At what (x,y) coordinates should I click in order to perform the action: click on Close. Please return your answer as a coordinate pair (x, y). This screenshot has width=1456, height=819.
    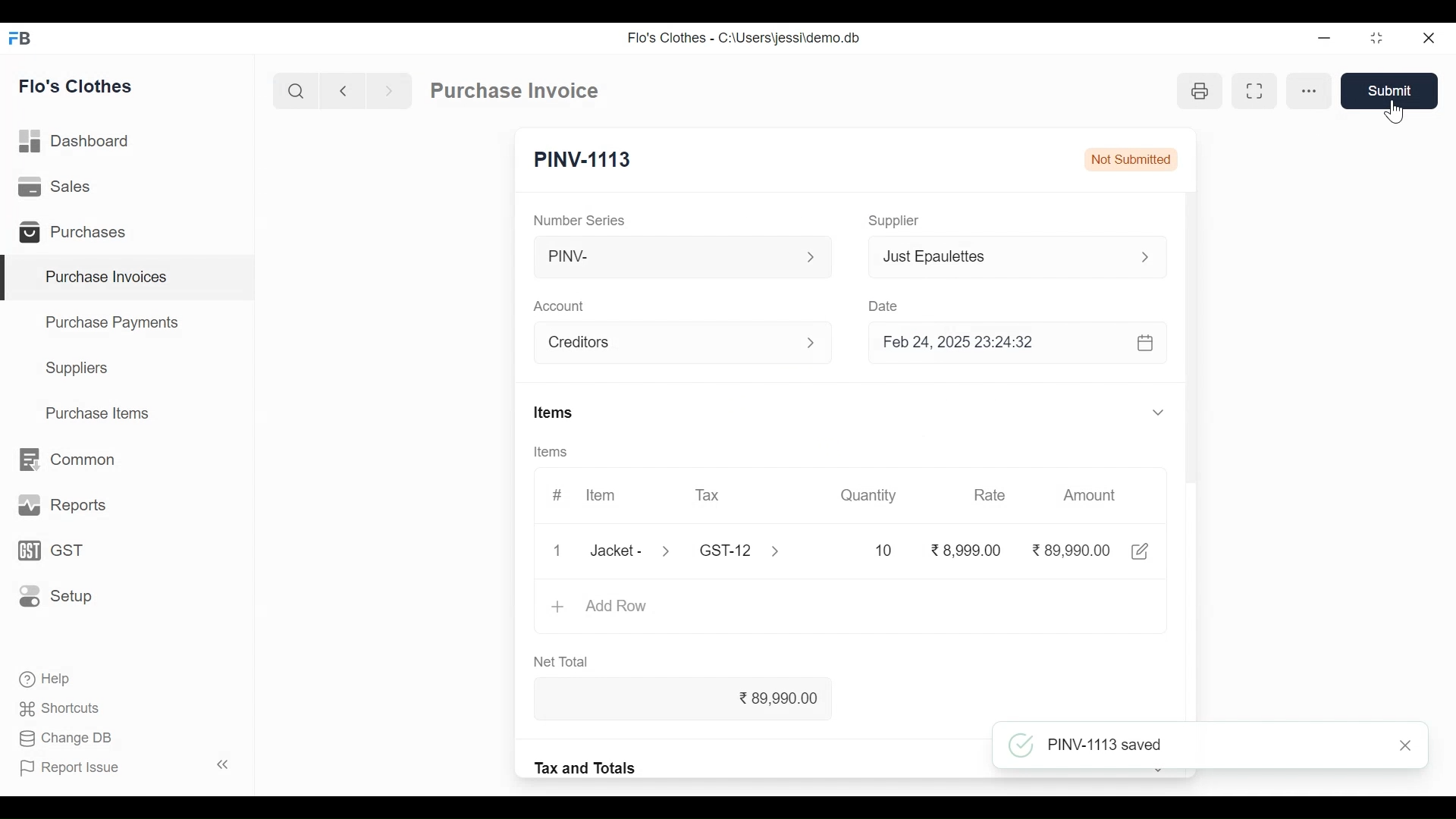
    Looking at the image, I should click on (555, 551).